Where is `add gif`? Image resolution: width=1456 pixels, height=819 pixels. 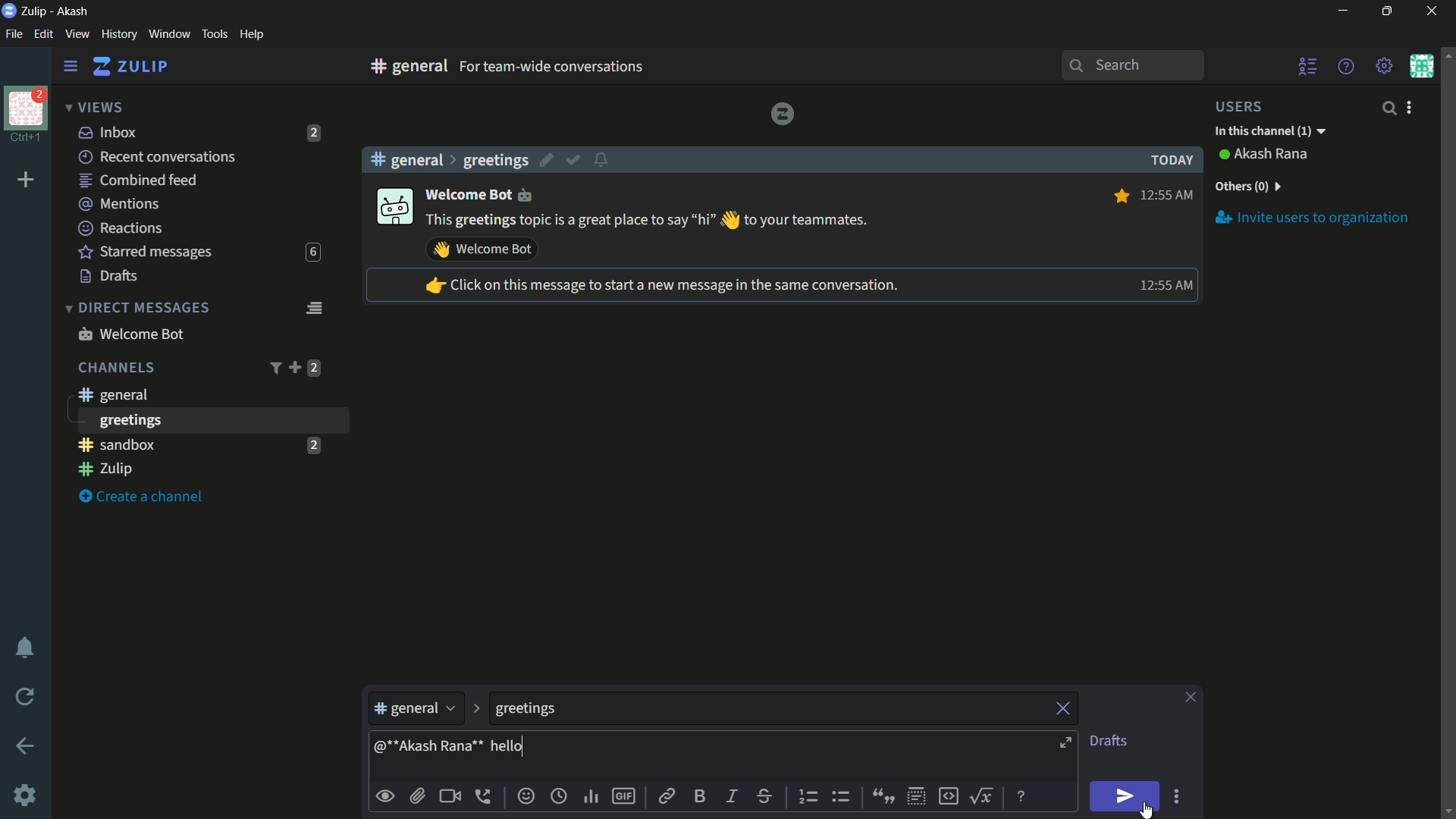 add gif is located at coordinates (623, 796).